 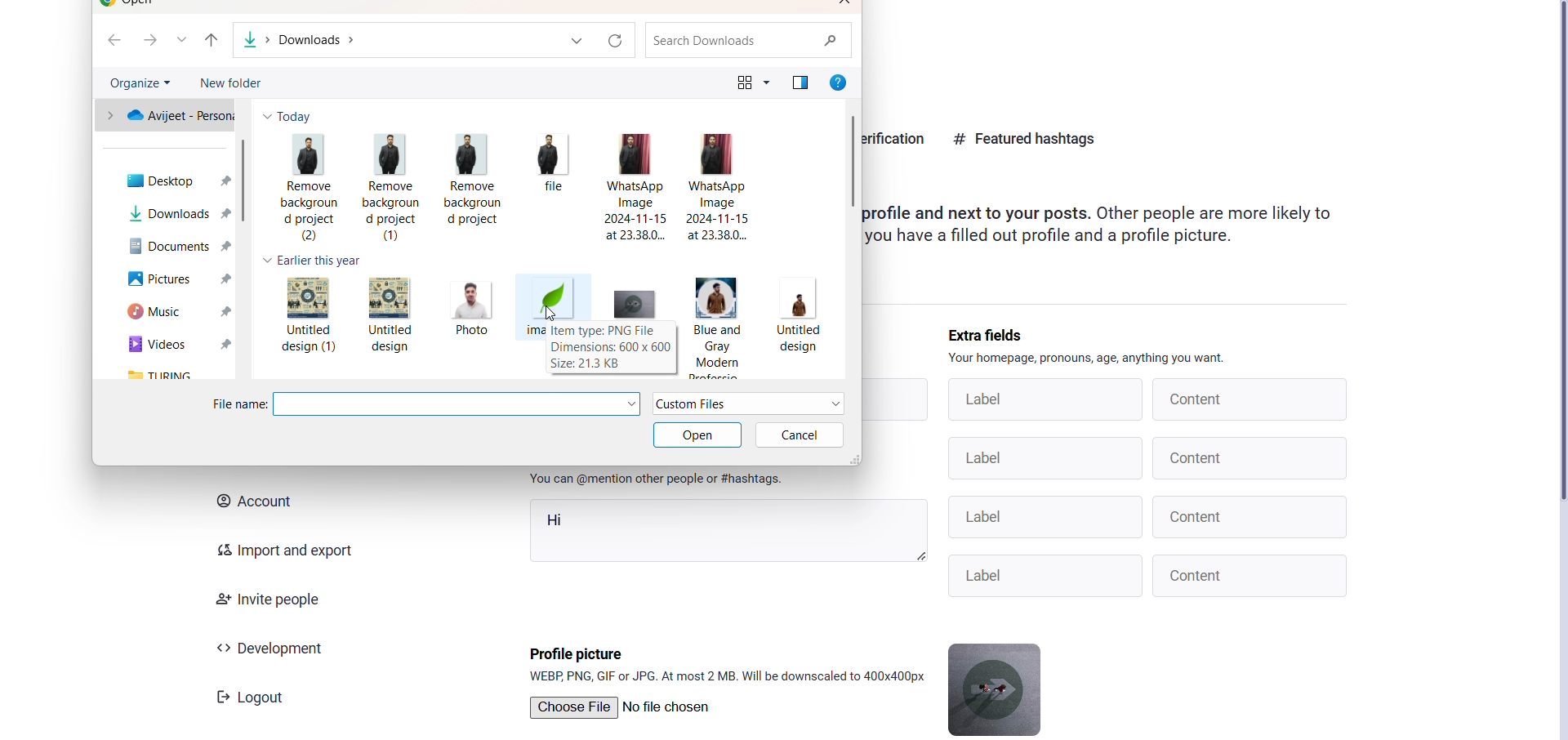 I want to click on help, so click(x=839, y=82).